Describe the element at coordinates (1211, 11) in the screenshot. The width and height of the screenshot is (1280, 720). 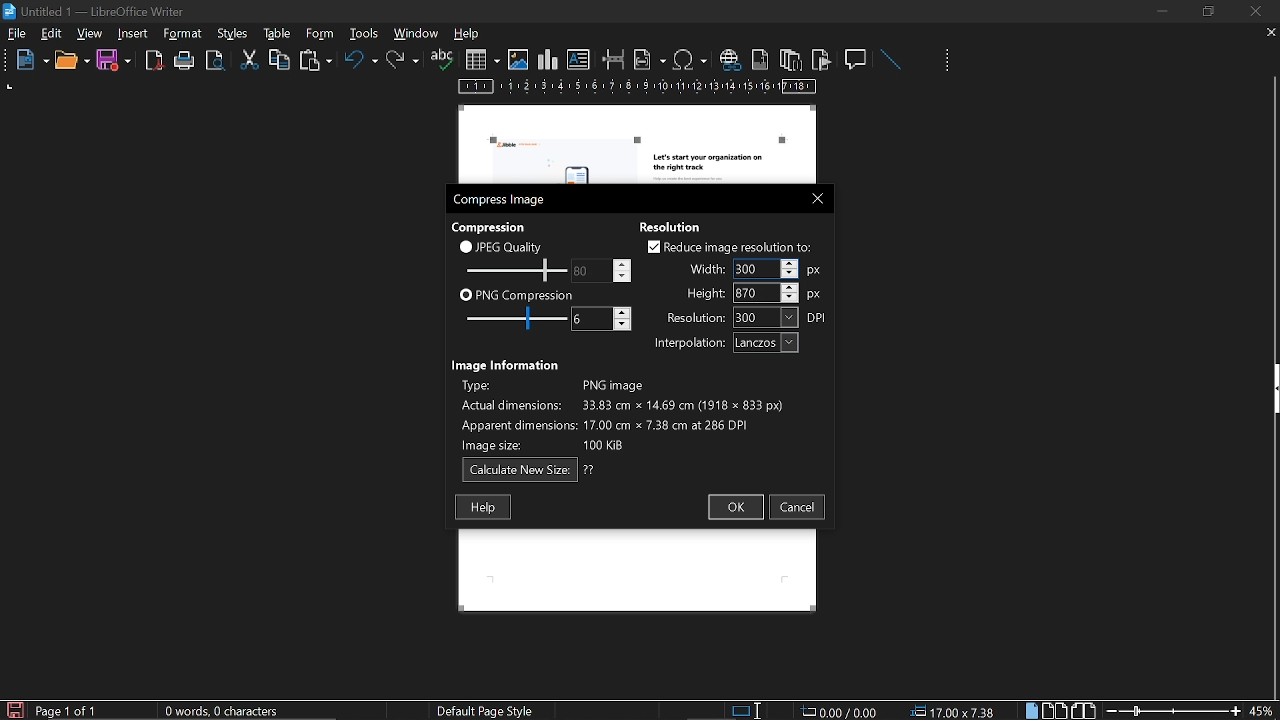
I see `restore down` at that location.